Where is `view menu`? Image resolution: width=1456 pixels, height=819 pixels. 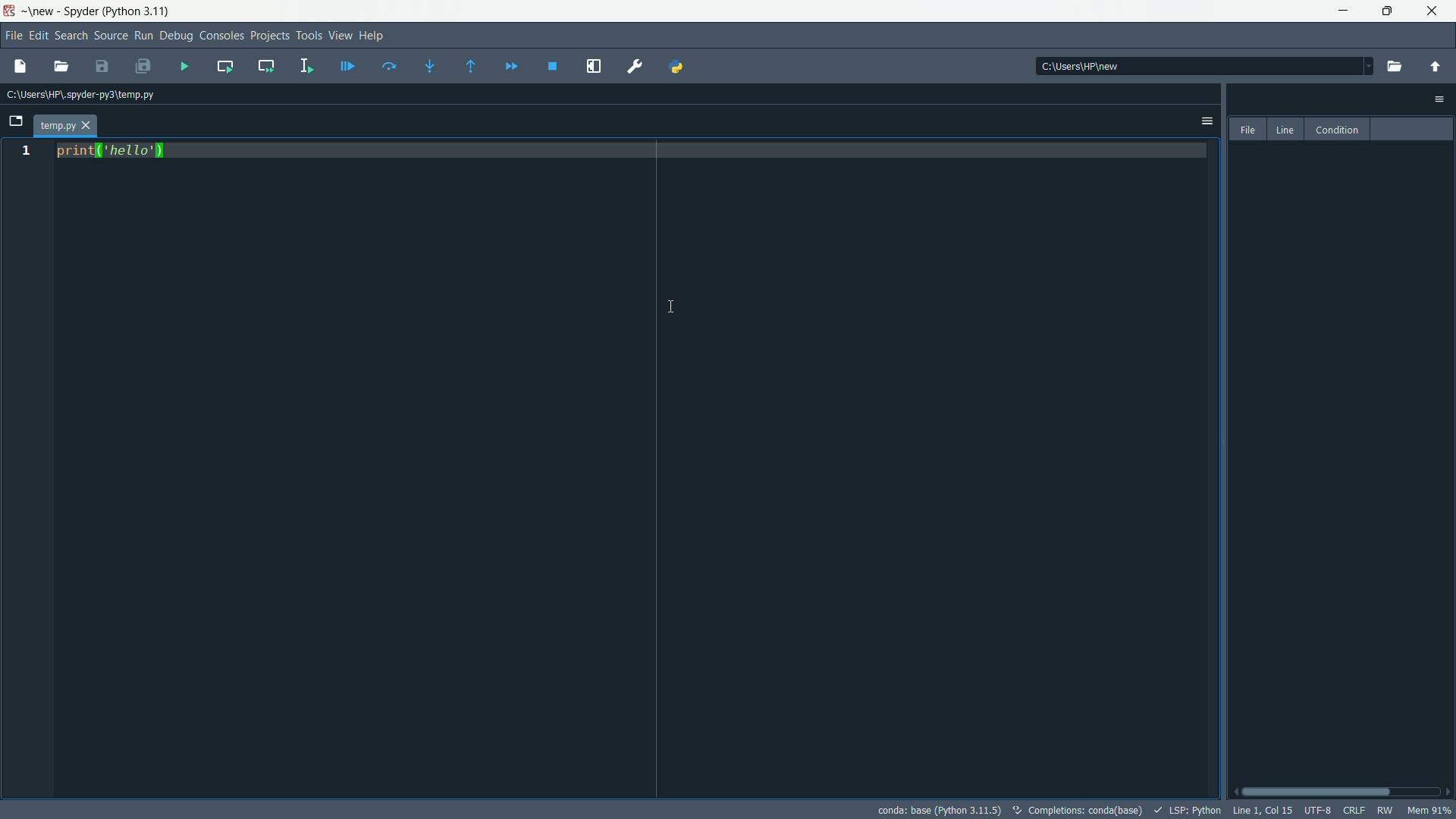
view menu is located at coordinates (340, 35).